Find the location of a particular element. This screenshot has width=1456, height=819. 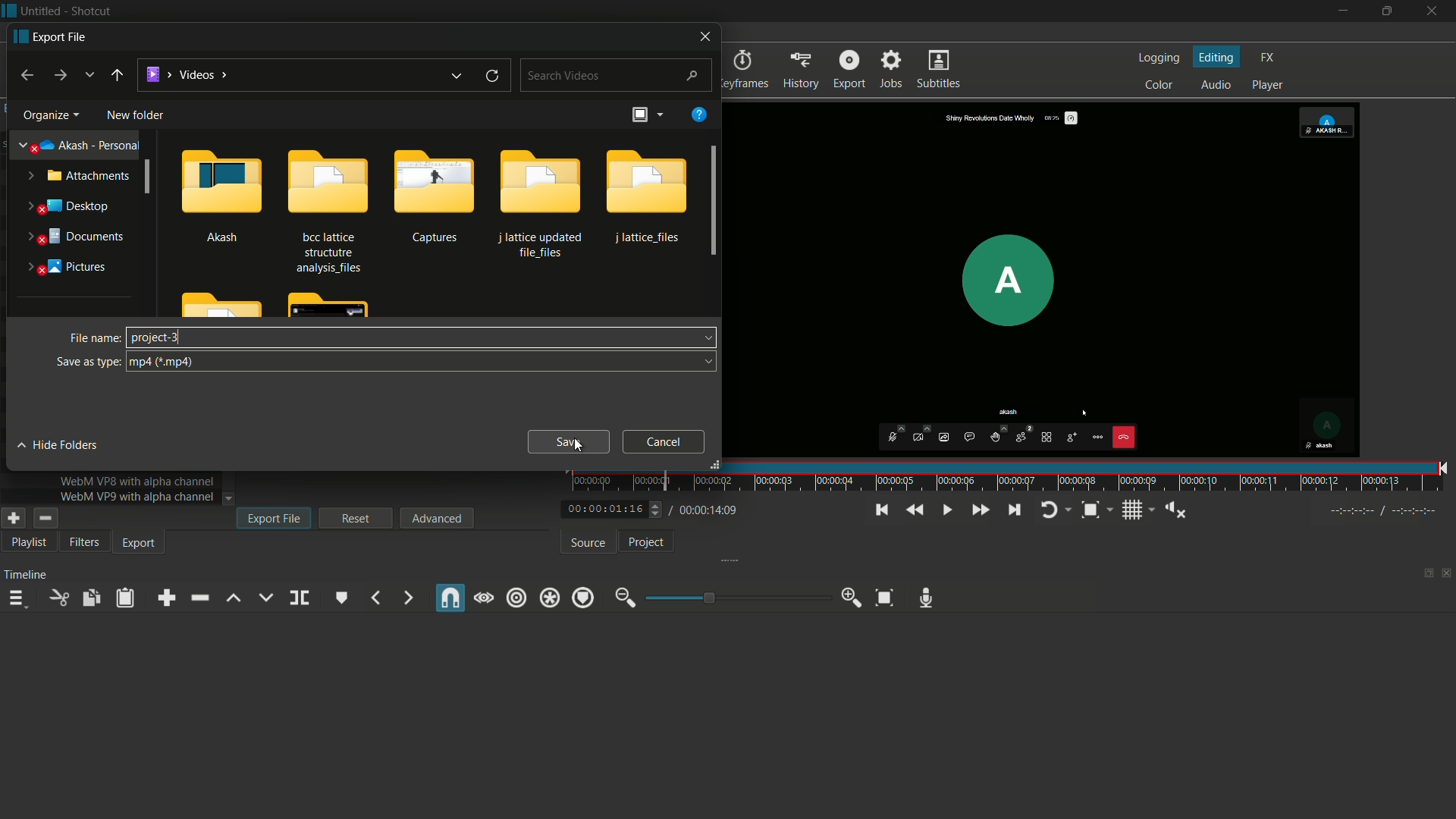

Export is located at coordinates (141, 543).